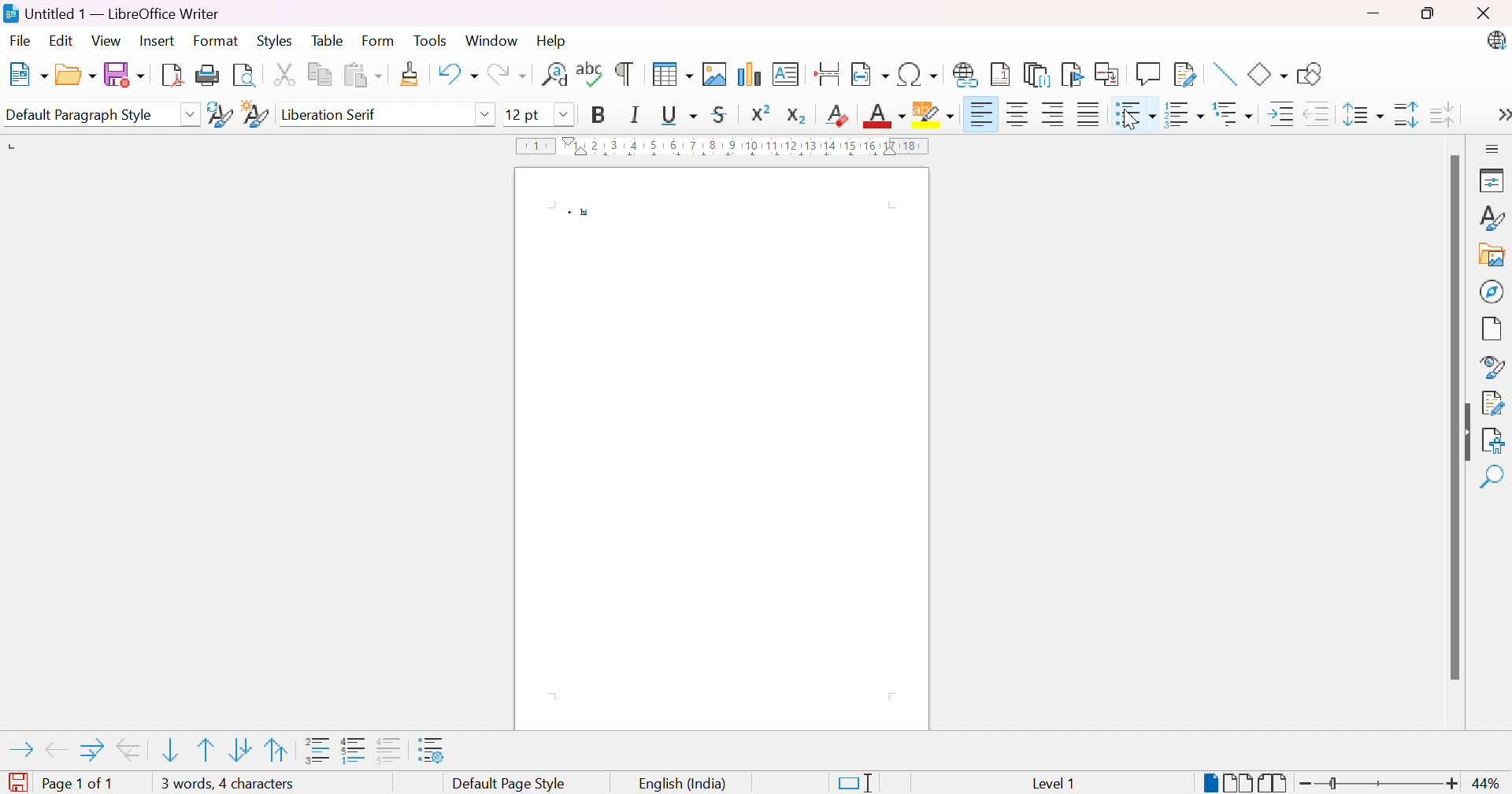 The width and height of the screenshot is (1512, 794). I want to click on Manage changes, so click(1496, 404).